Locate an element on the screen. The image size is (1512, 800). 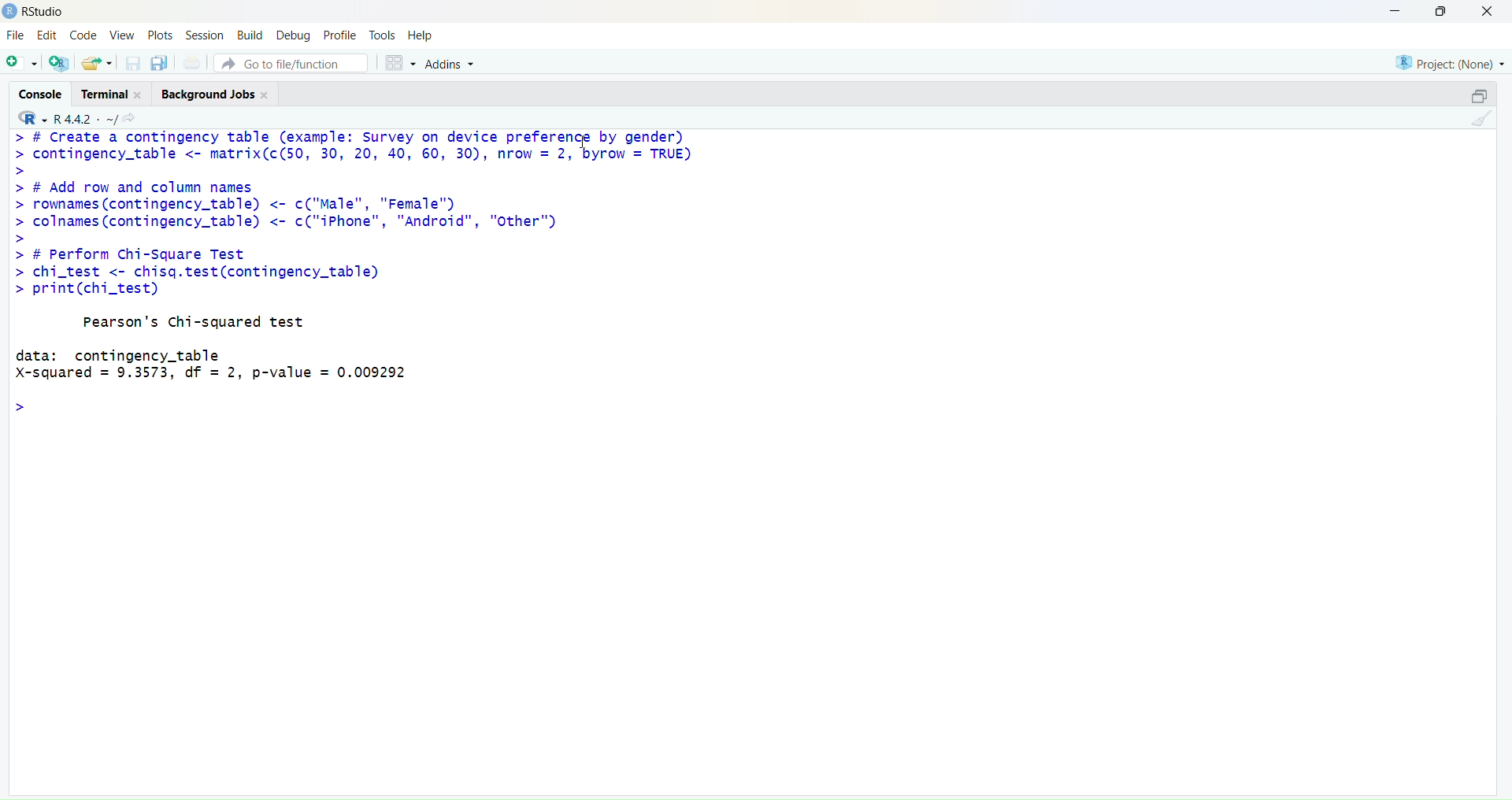
> # Create a contingency table (example: Survey on device prefere"t by gender)
> contingency_table <- matrix(c(50, 30, 20, 40, 60, 30), nrow = 2, byrow = TRUE) is located at coordinates (354, 147).